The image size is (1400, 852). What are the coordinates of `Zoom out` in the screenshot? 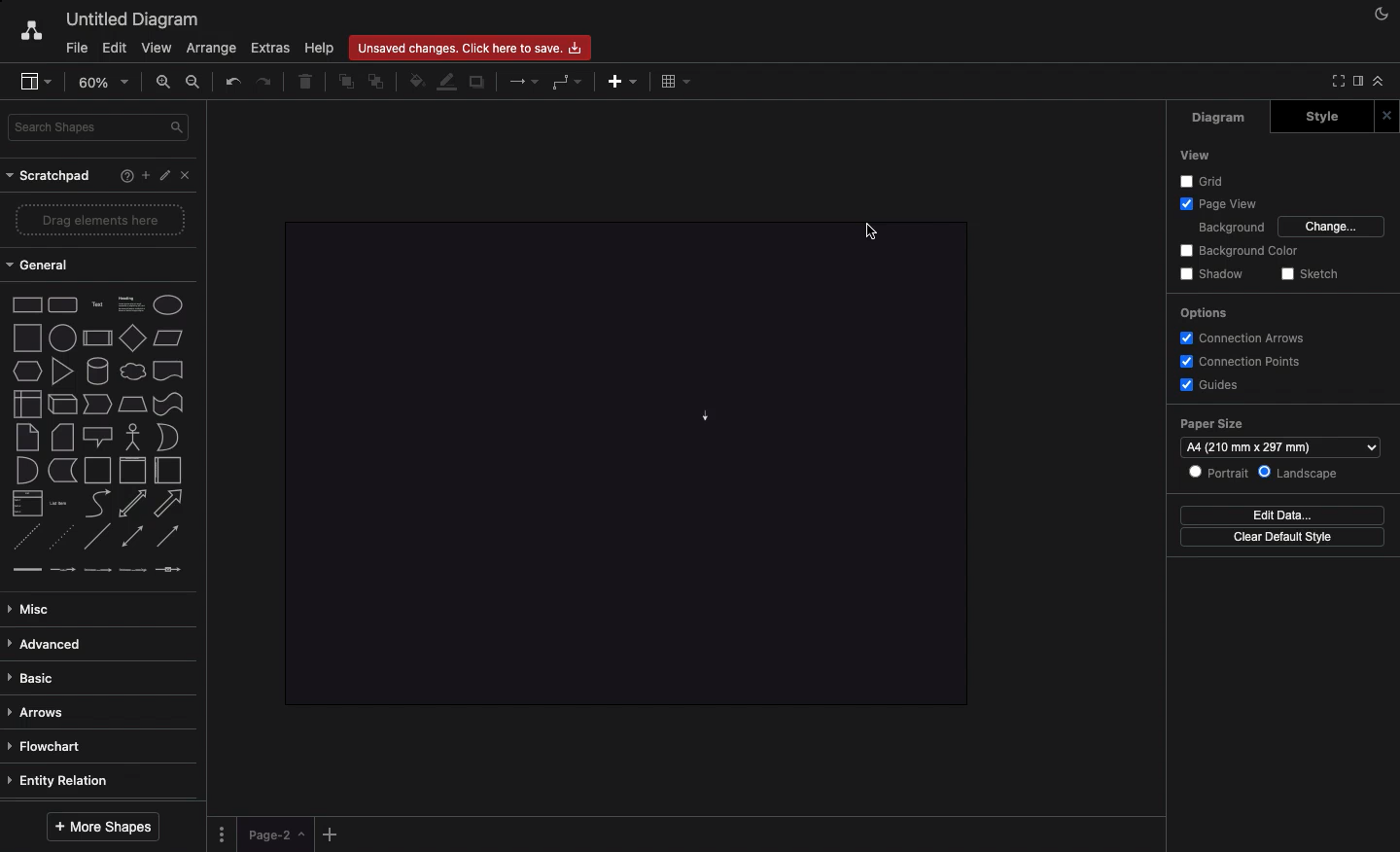 It's located at (195, 81).